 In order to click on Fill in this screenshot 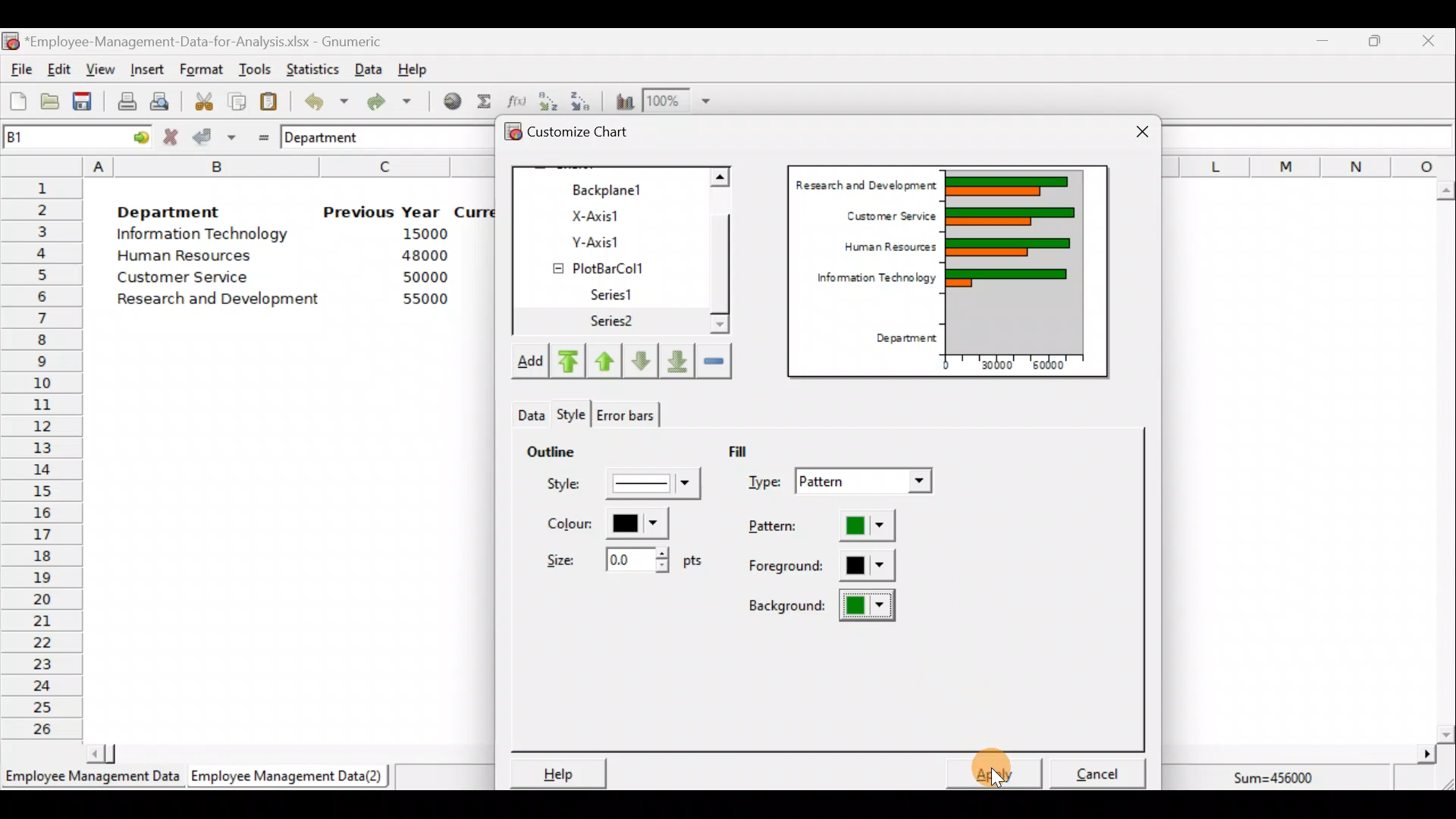, I will do `click(749, 450)`.